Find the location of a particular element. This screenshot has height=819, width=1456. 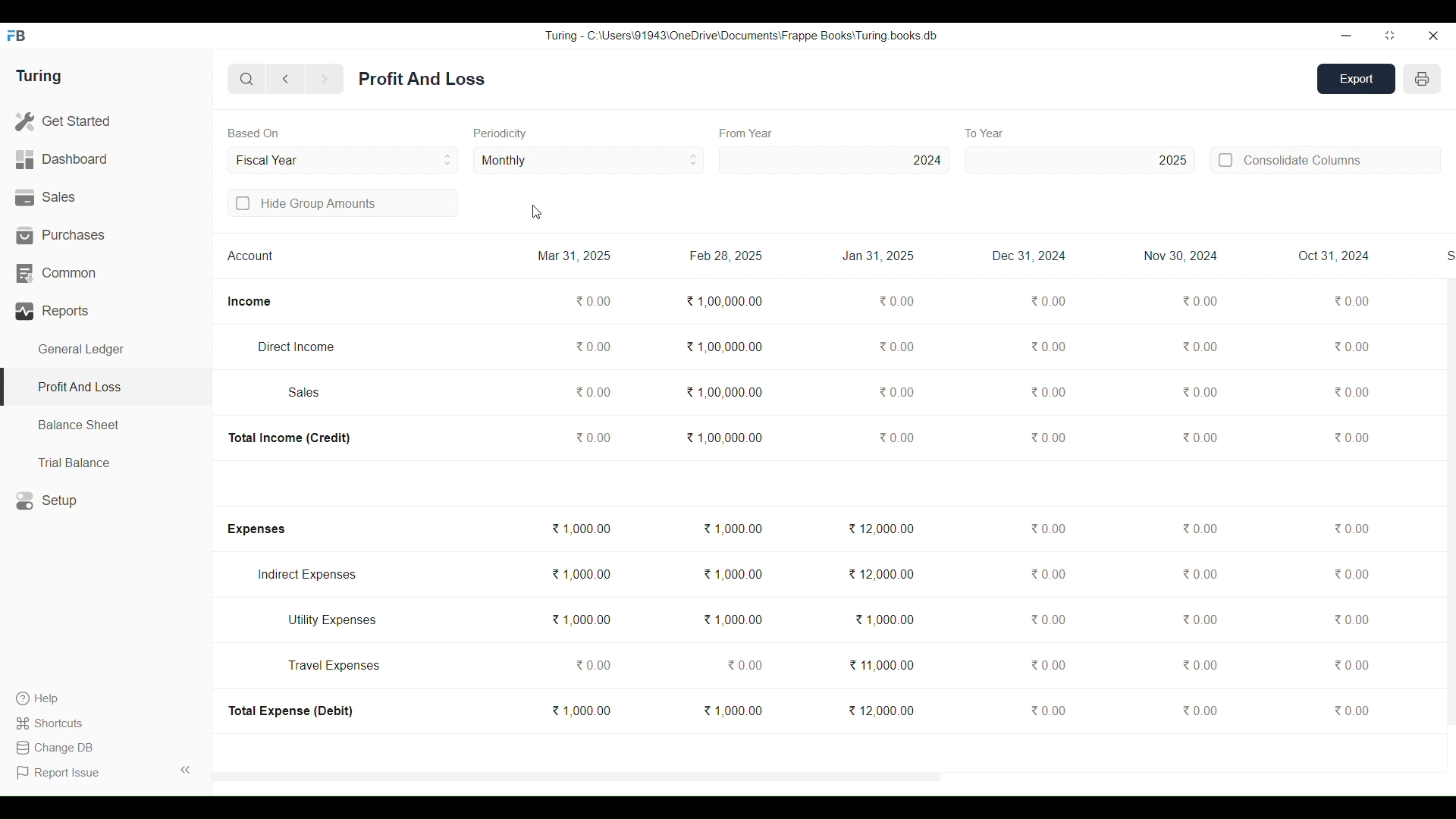

Mar 31, 2025 is located at coordinates (574, 256).